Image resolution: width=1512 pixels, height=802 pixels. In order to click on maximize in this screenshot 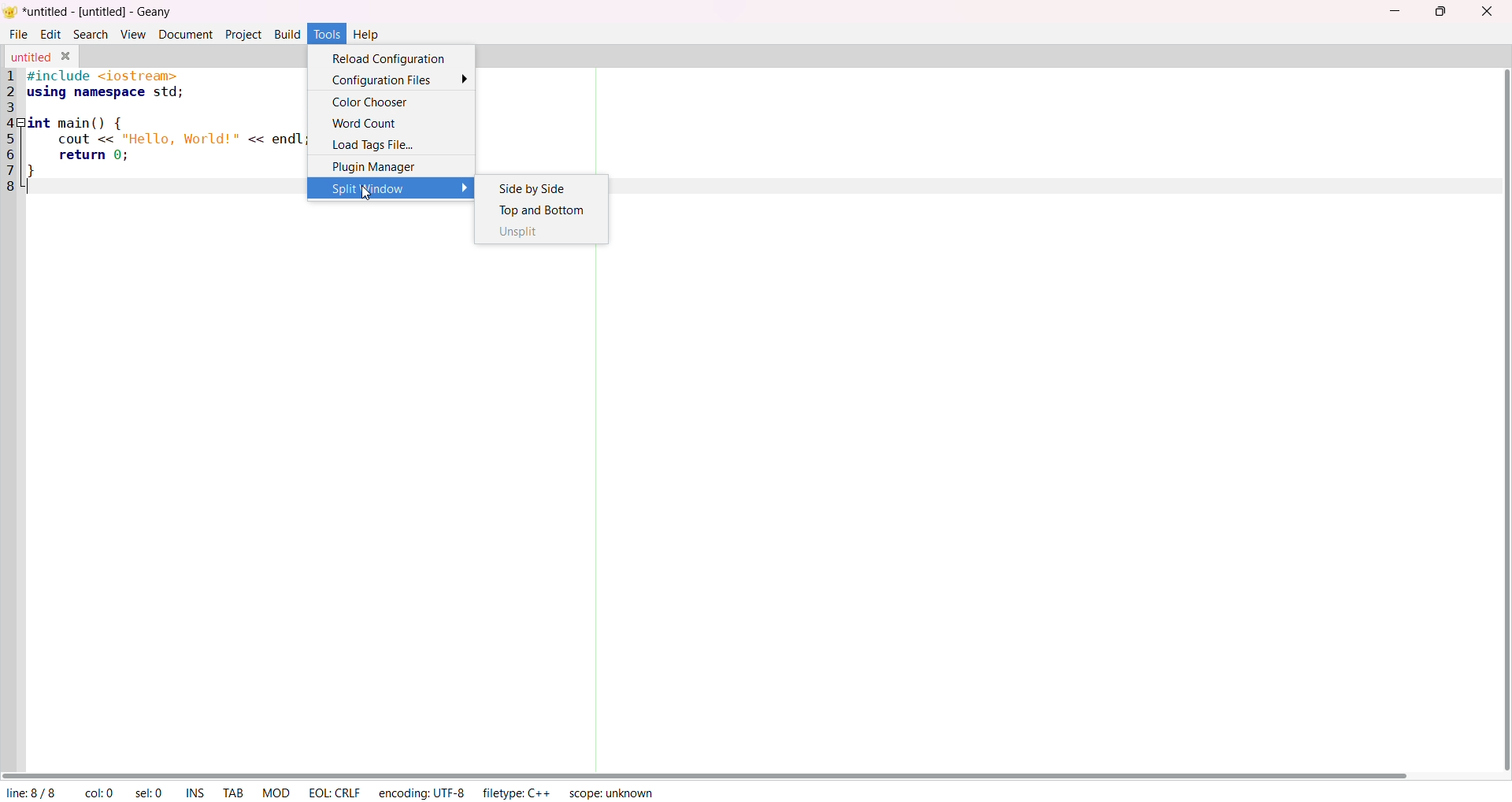, I will do `click(1443, 13)`.